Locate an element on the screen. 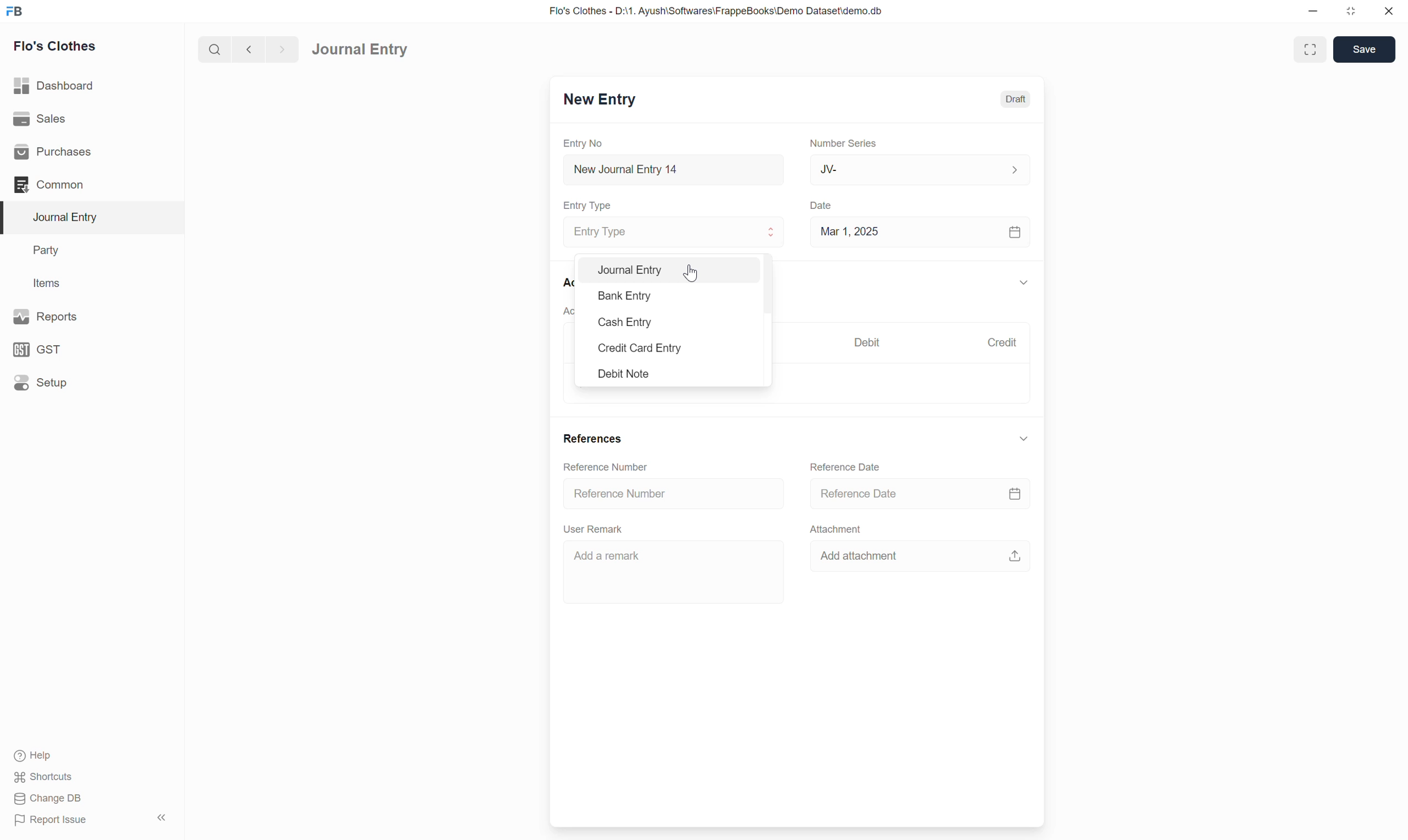  Reference number is located at coordinates (645, 492).